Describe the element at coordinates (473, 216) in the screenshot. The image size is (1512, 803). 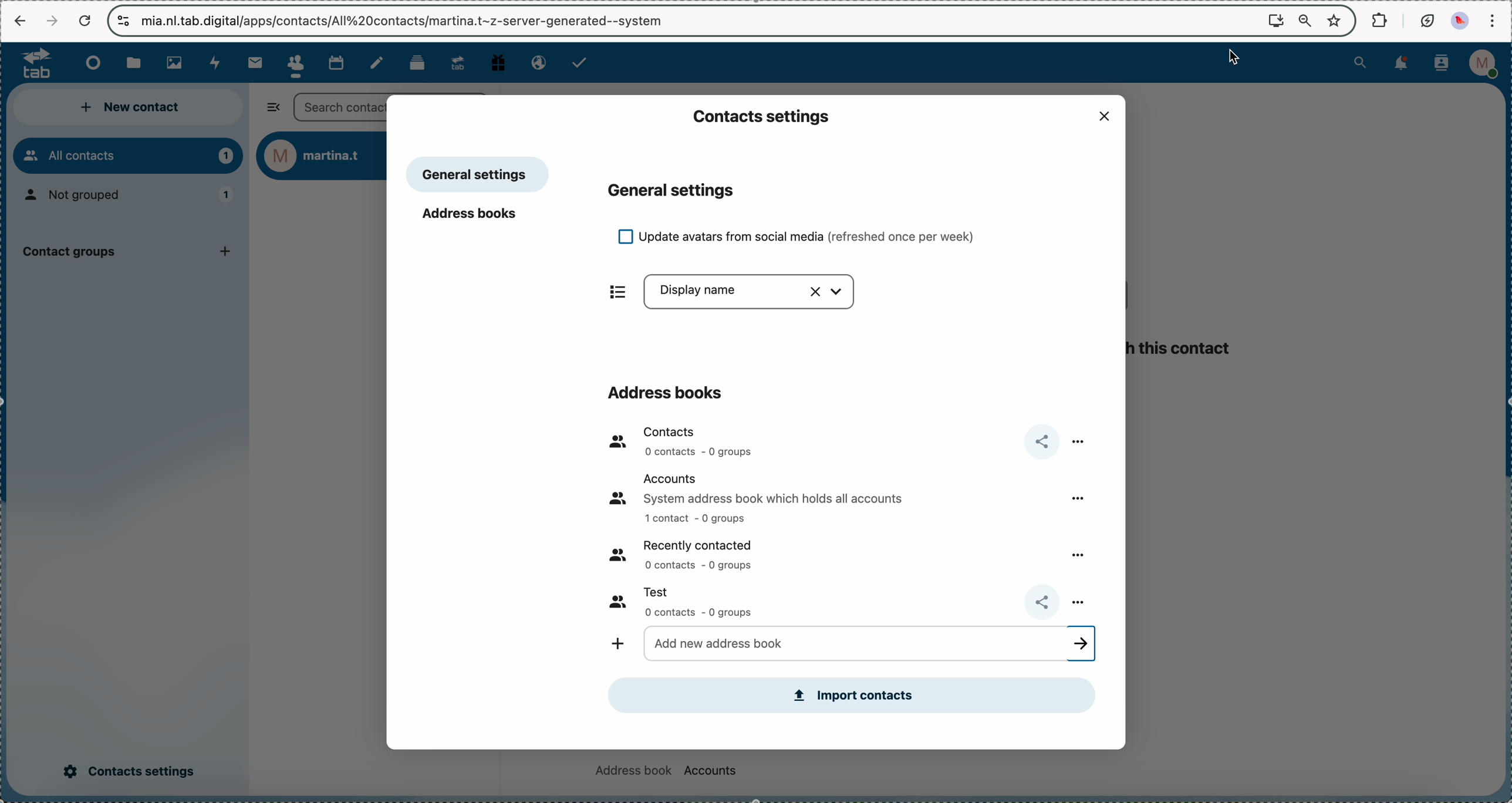
I see `address books` at that location.